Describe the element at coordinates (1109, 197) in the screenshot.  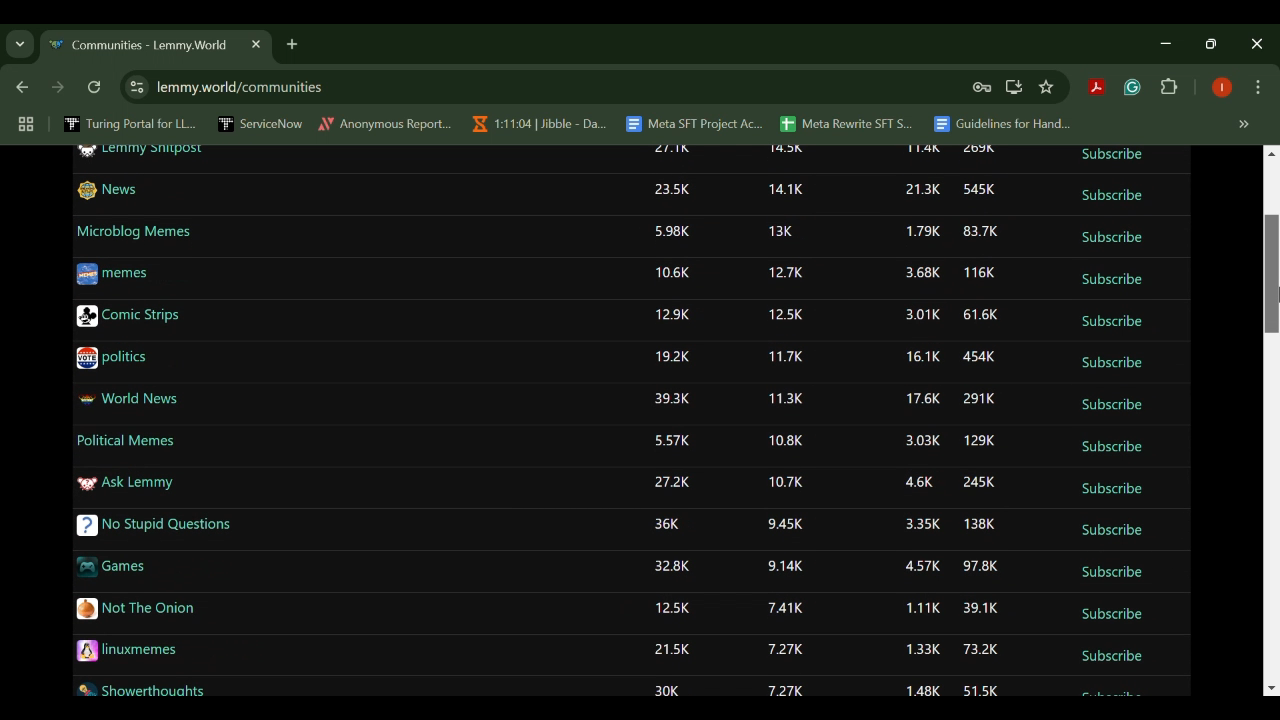
I see `Subscribe` at that location.